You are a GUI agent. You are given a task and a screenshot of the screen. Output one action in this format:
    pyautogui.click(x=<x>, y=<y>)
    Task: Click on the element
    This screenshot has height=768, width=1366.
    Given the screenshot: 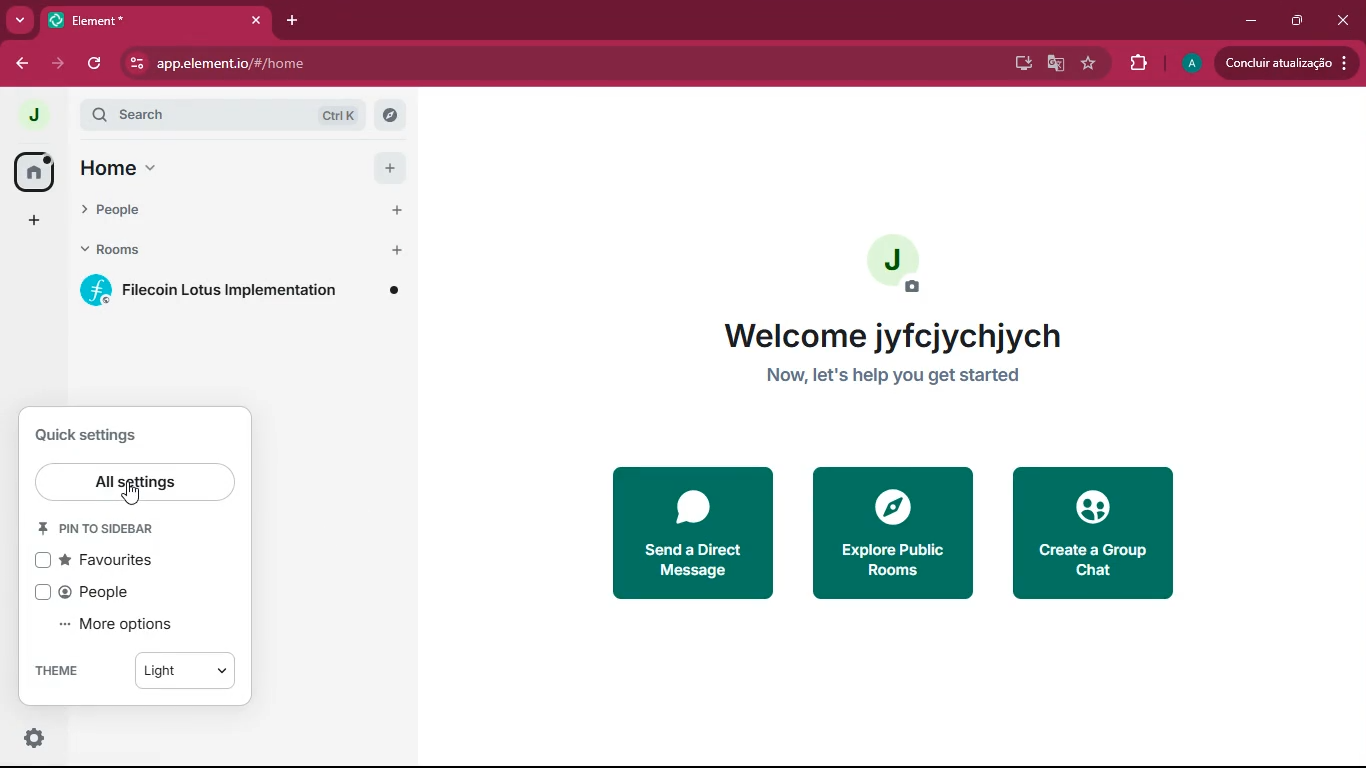 What is the action you would take?
    pyautogui.click(x=159, y=19)
    